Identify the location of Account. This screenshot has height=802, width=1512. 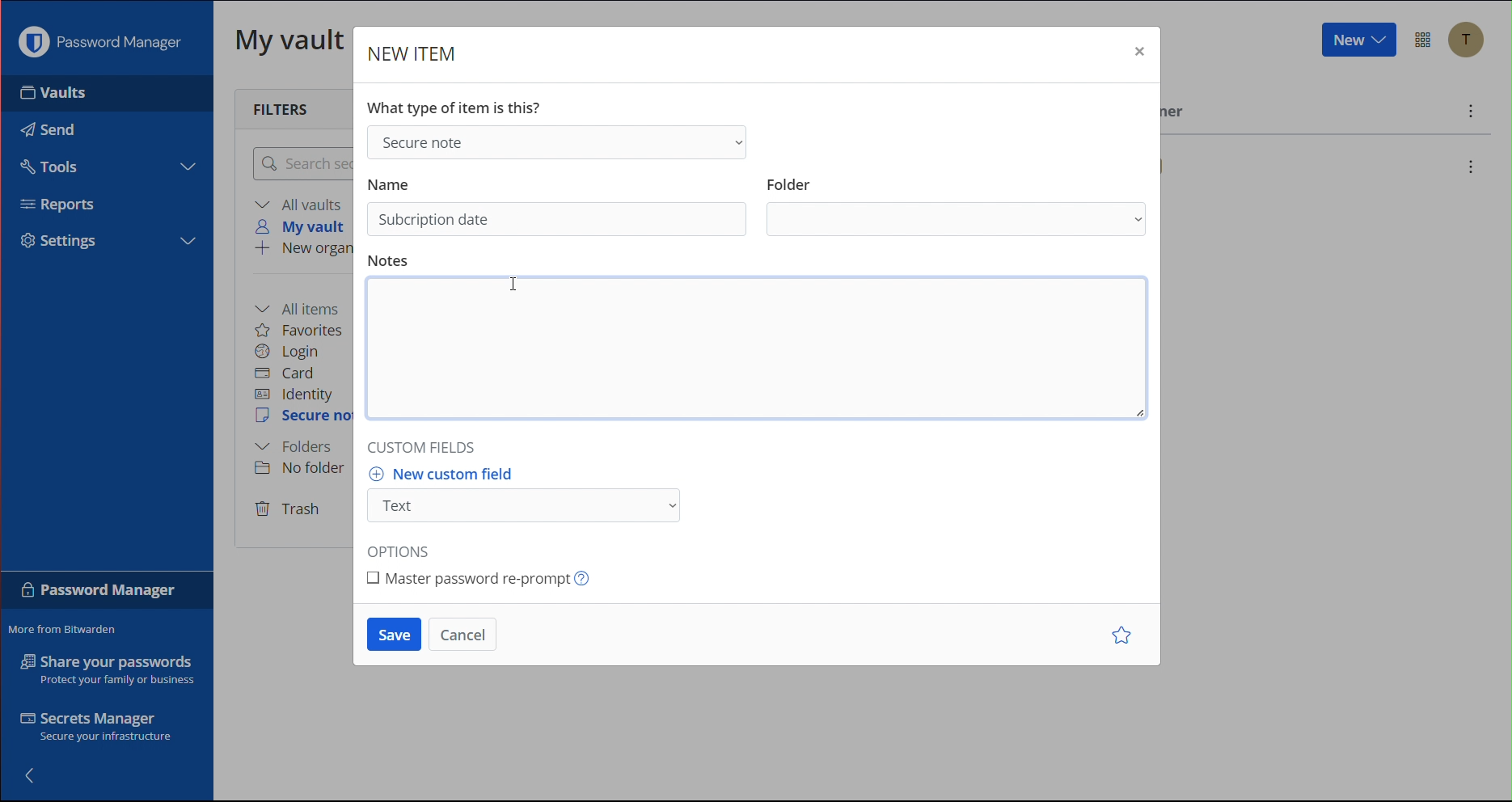
(1472, 42).